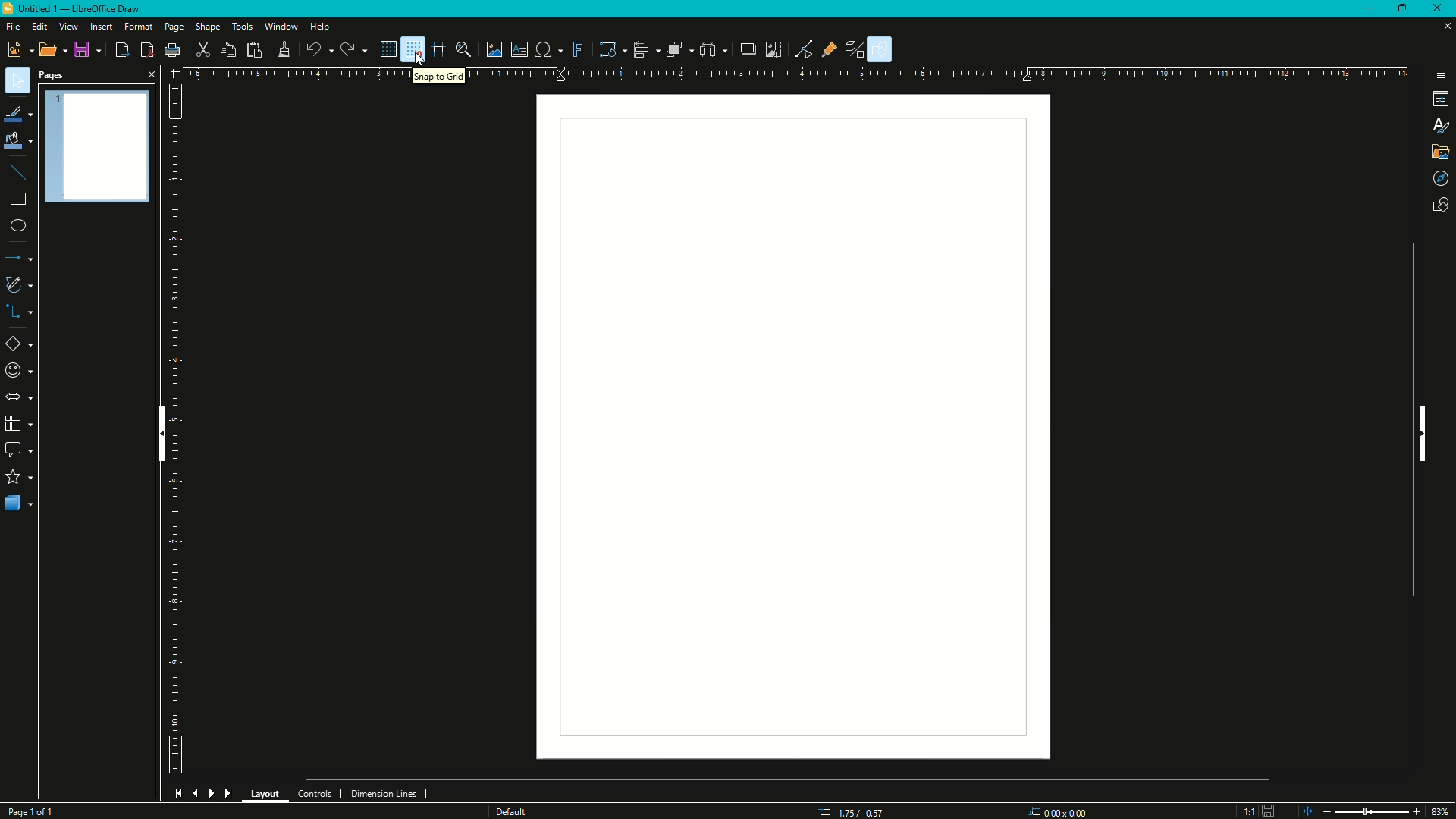 The height and width of the screenshot is (819, 1456). What do you see at coordinates (348, 48) in the screenshot?
I see `redo` at bounding box center [348, 48].